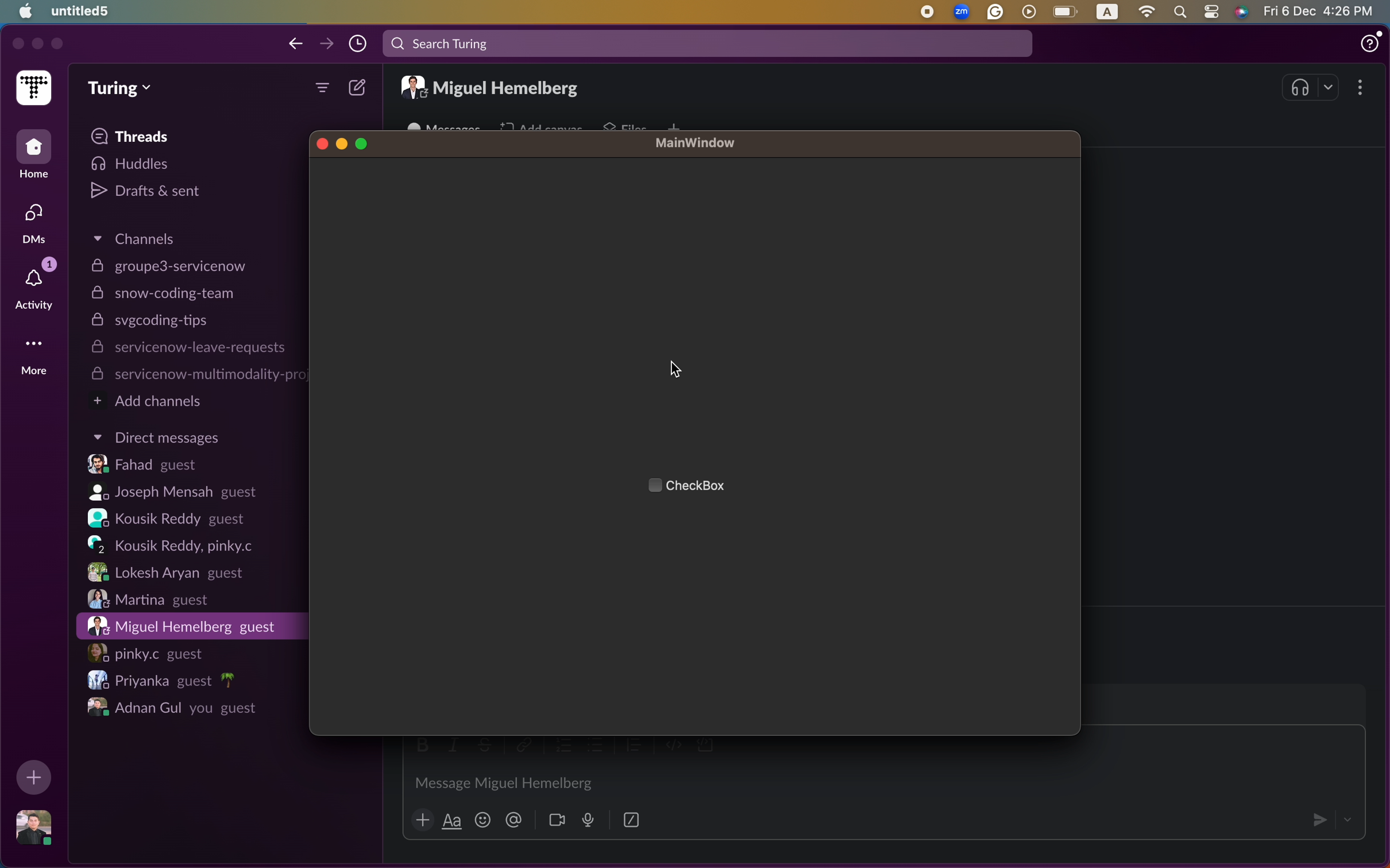 The width and height of the screenshot is (1390, 868). What do you see at coordinates (155, 322) in the screenshot?
I see `svg coding tips` at bounding box center [155, 322].